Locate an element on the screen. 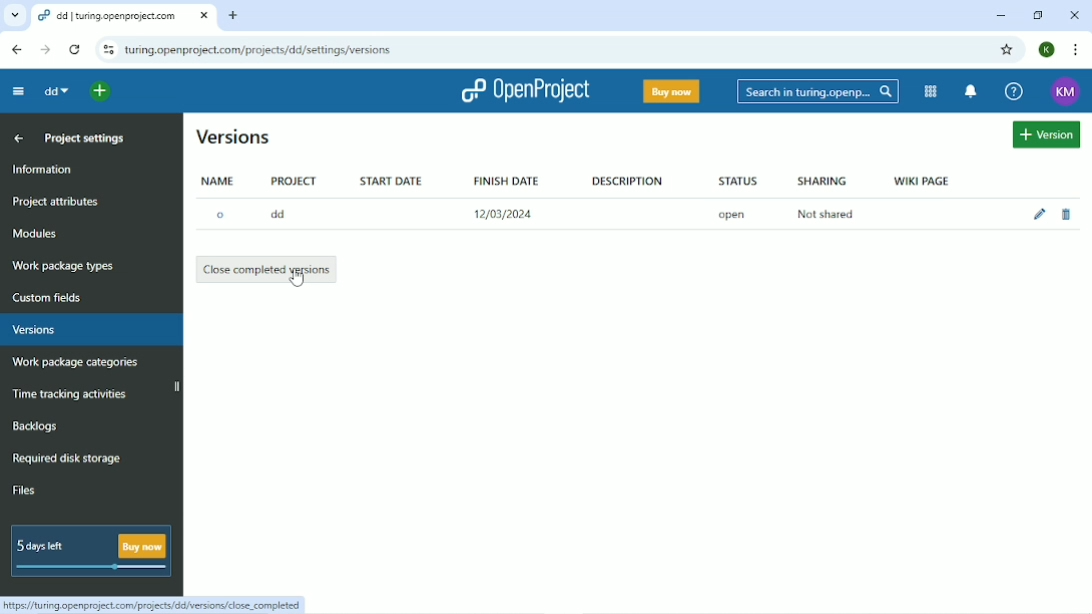 This screenshot has height=614, width=1092. Up is located at coordinates (20, 139).